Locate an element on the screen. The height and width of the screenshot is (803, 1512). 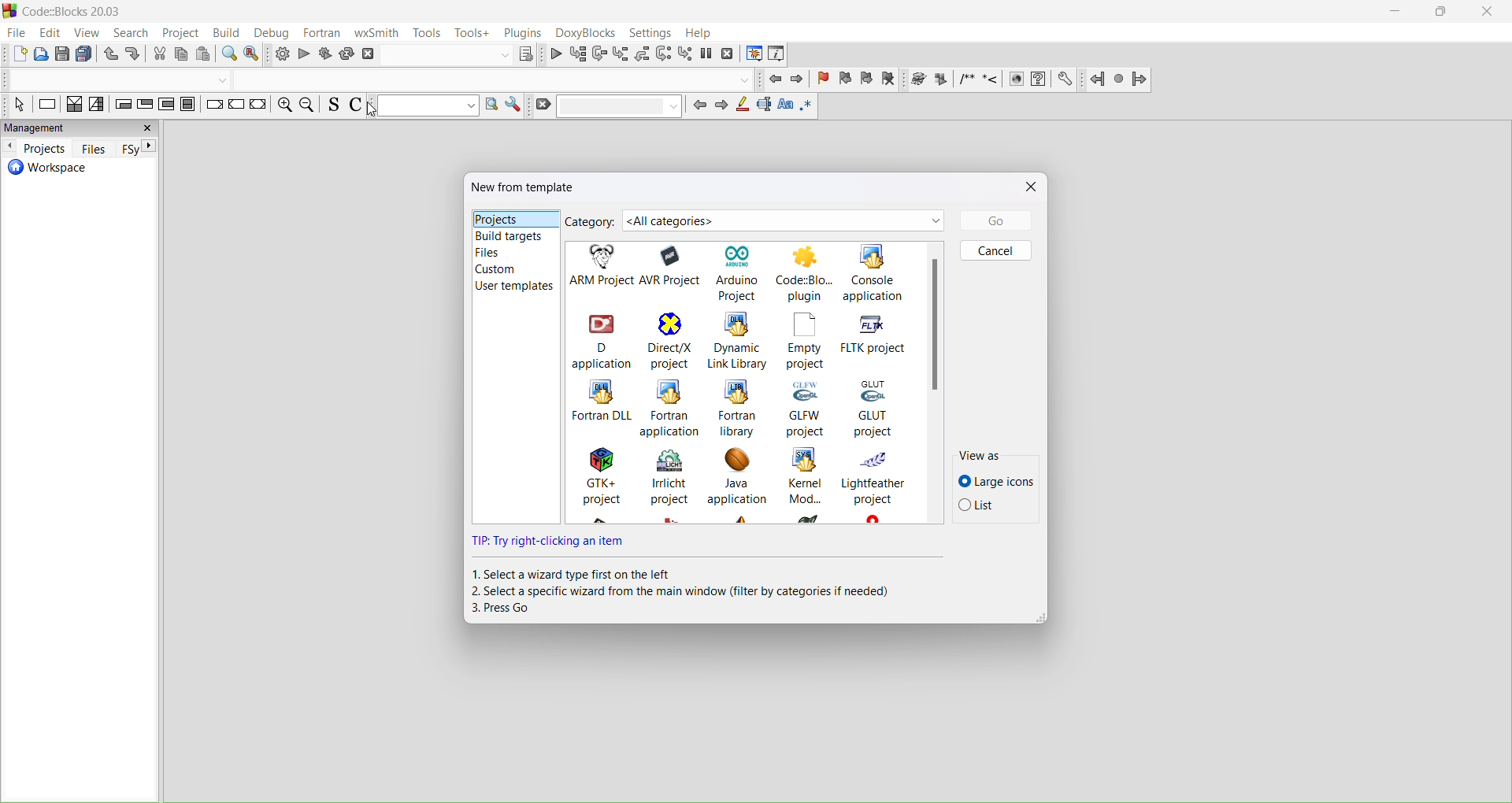
fortran application is located at coordinates (671, 409).